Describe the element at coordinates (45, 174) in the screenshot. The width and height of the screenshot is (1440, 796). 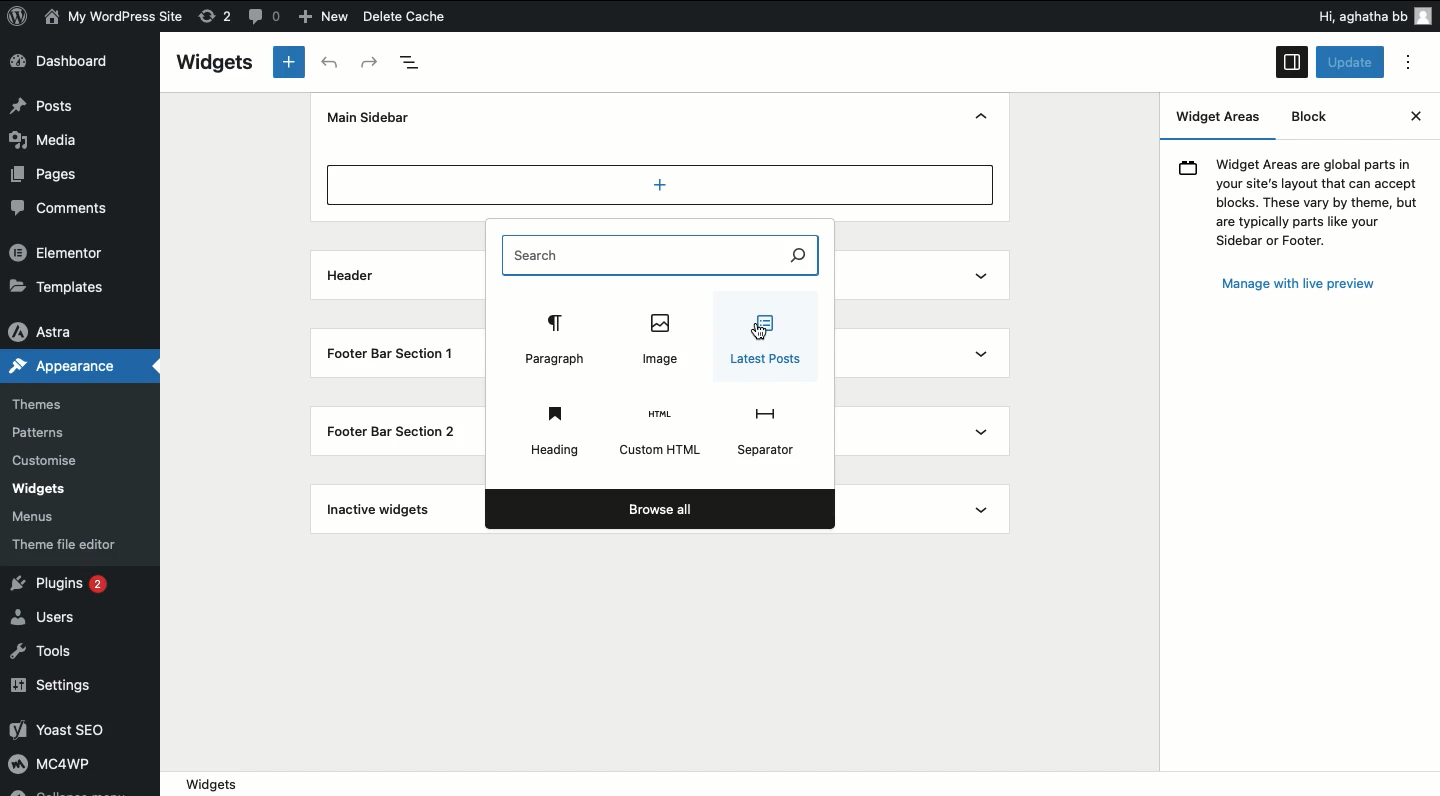
I see `Pages` at that location.